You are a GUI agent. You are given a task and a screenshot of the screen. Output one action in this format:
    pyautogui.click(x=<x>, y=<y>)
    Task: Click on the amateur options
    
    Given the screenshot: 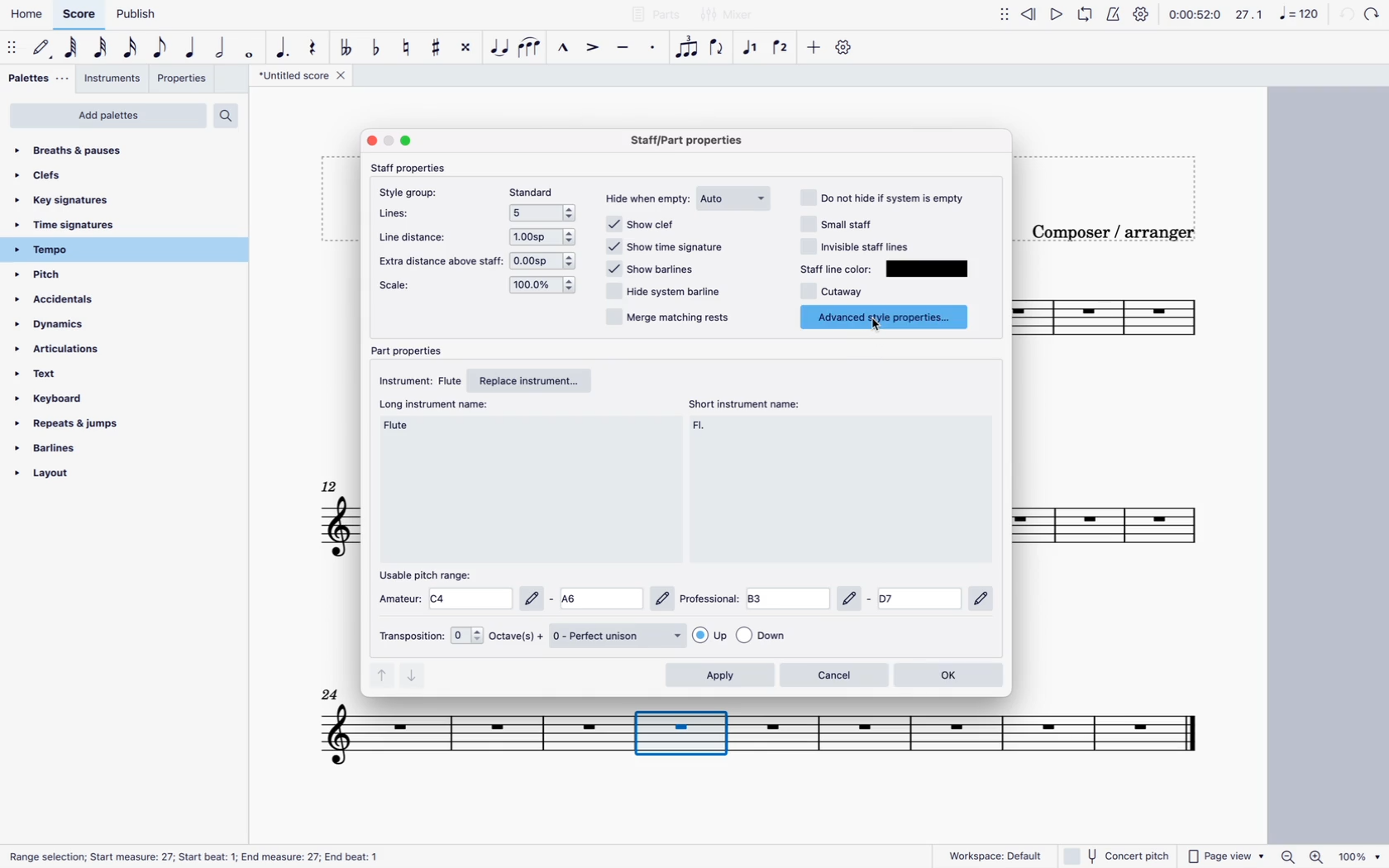 What is the action you would take?
    pyautogui.click(x=552, y=599)
    